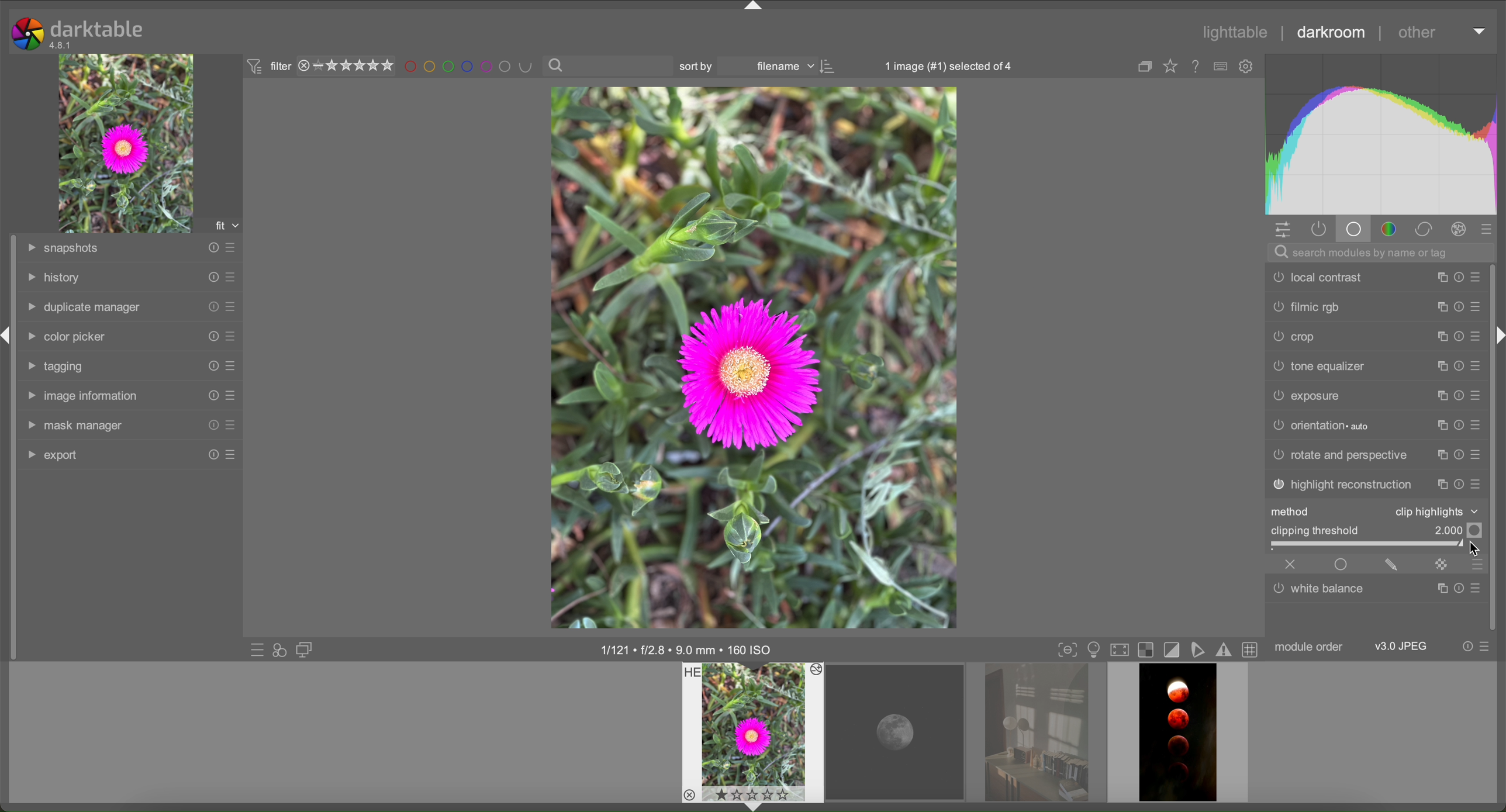 The image size is (1506, 812). I want to click on local contrast, so click(1315, 277).